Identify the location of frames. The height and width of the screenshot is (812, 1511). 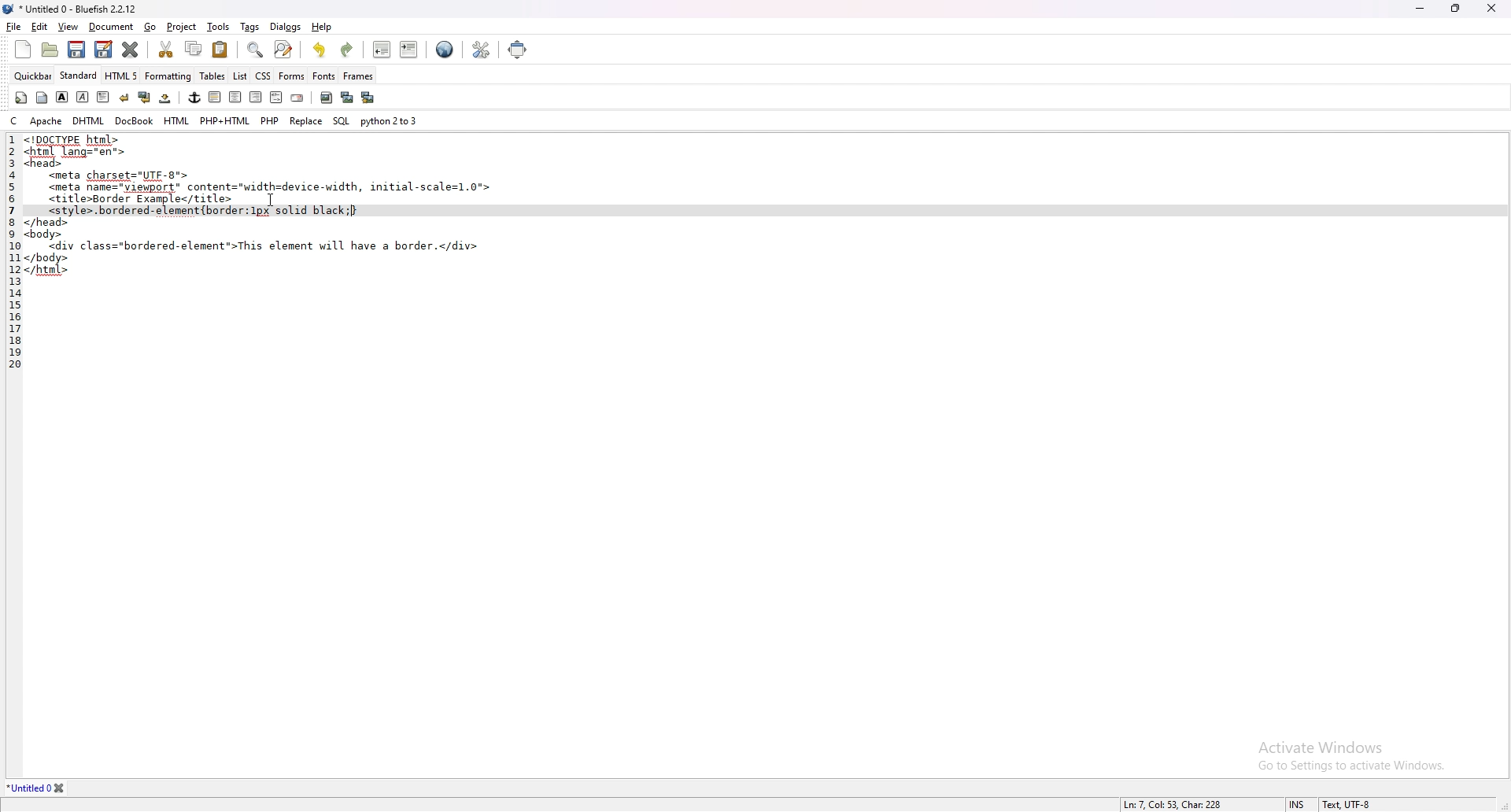
(358, 76).